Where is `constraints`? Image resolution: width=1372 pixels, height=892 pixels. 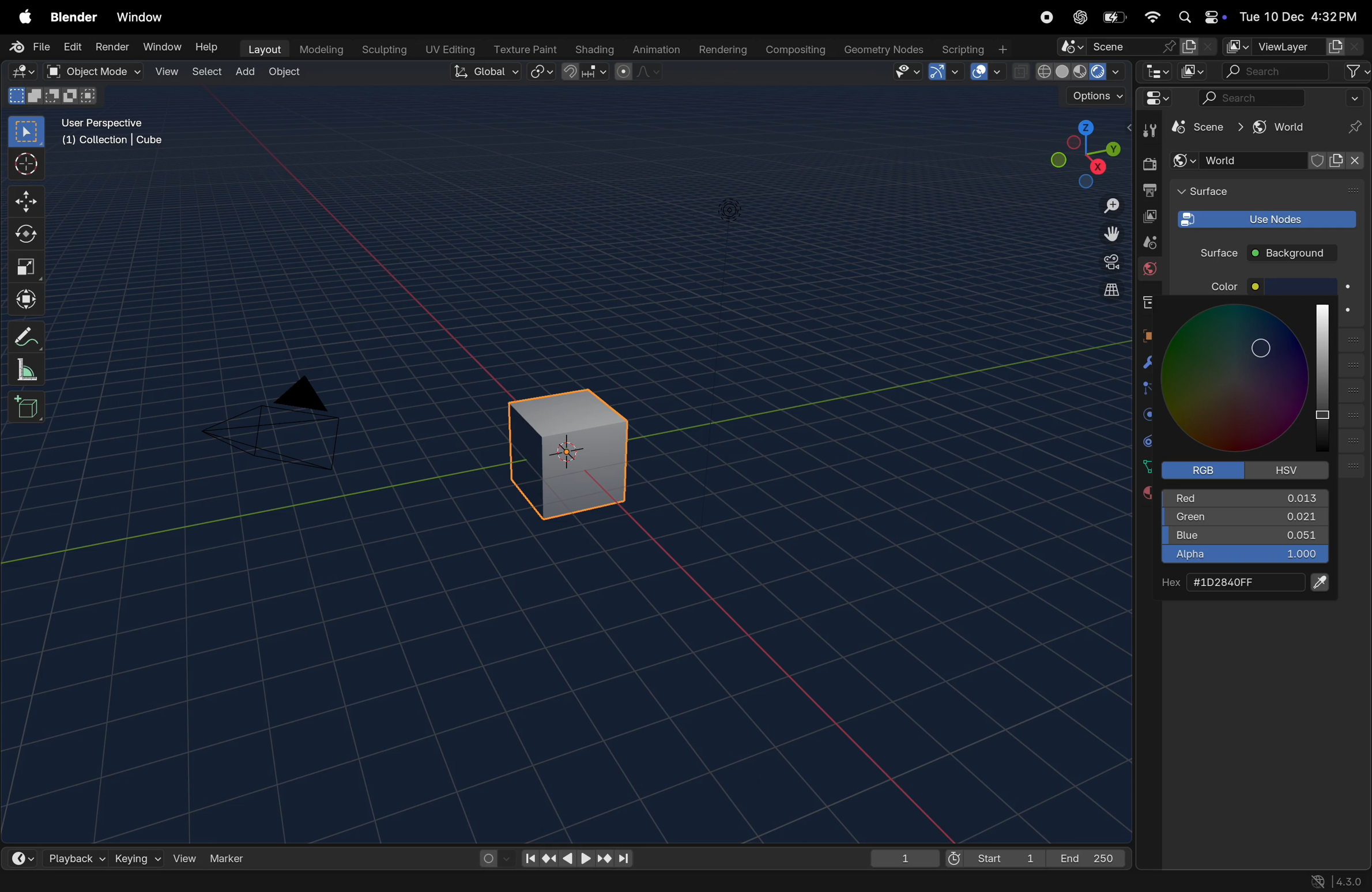 constraints is located at coordinates (1148, 440).